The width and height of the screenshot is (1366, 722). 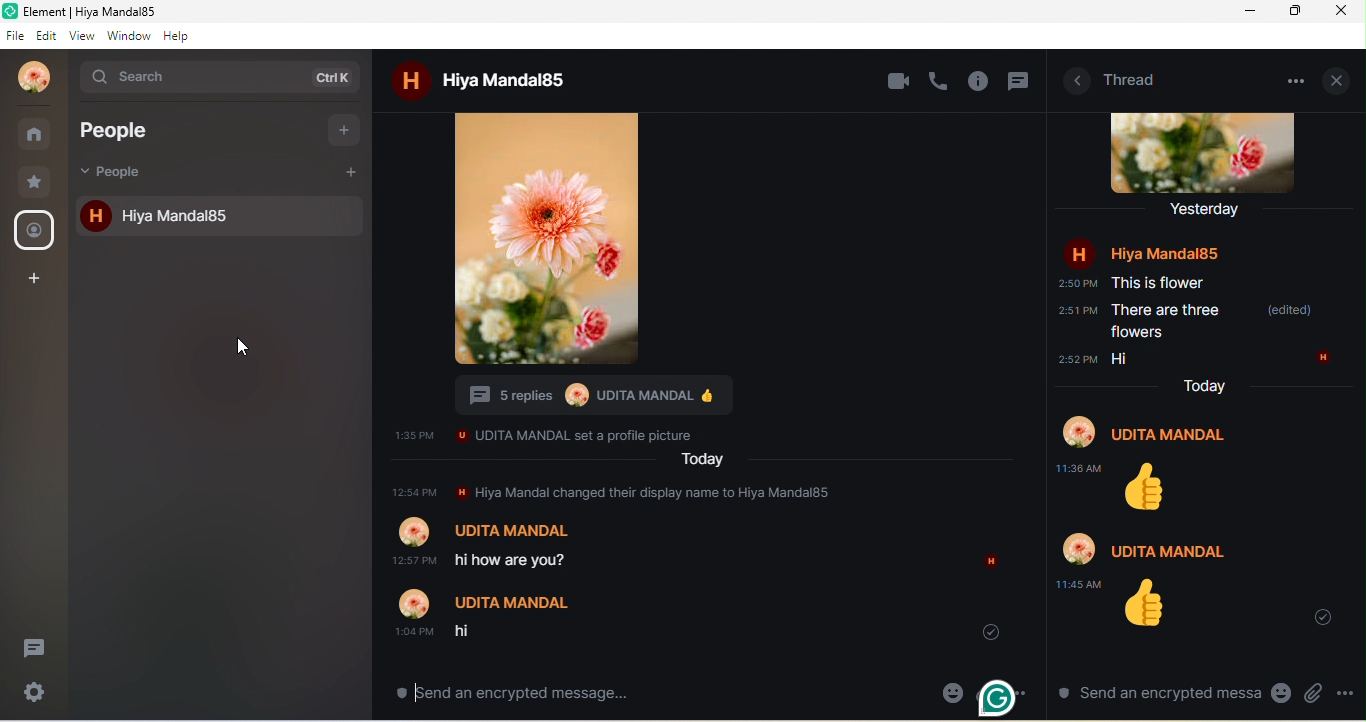 I want to click on 1:35 PM, so click(x=413, y=435).